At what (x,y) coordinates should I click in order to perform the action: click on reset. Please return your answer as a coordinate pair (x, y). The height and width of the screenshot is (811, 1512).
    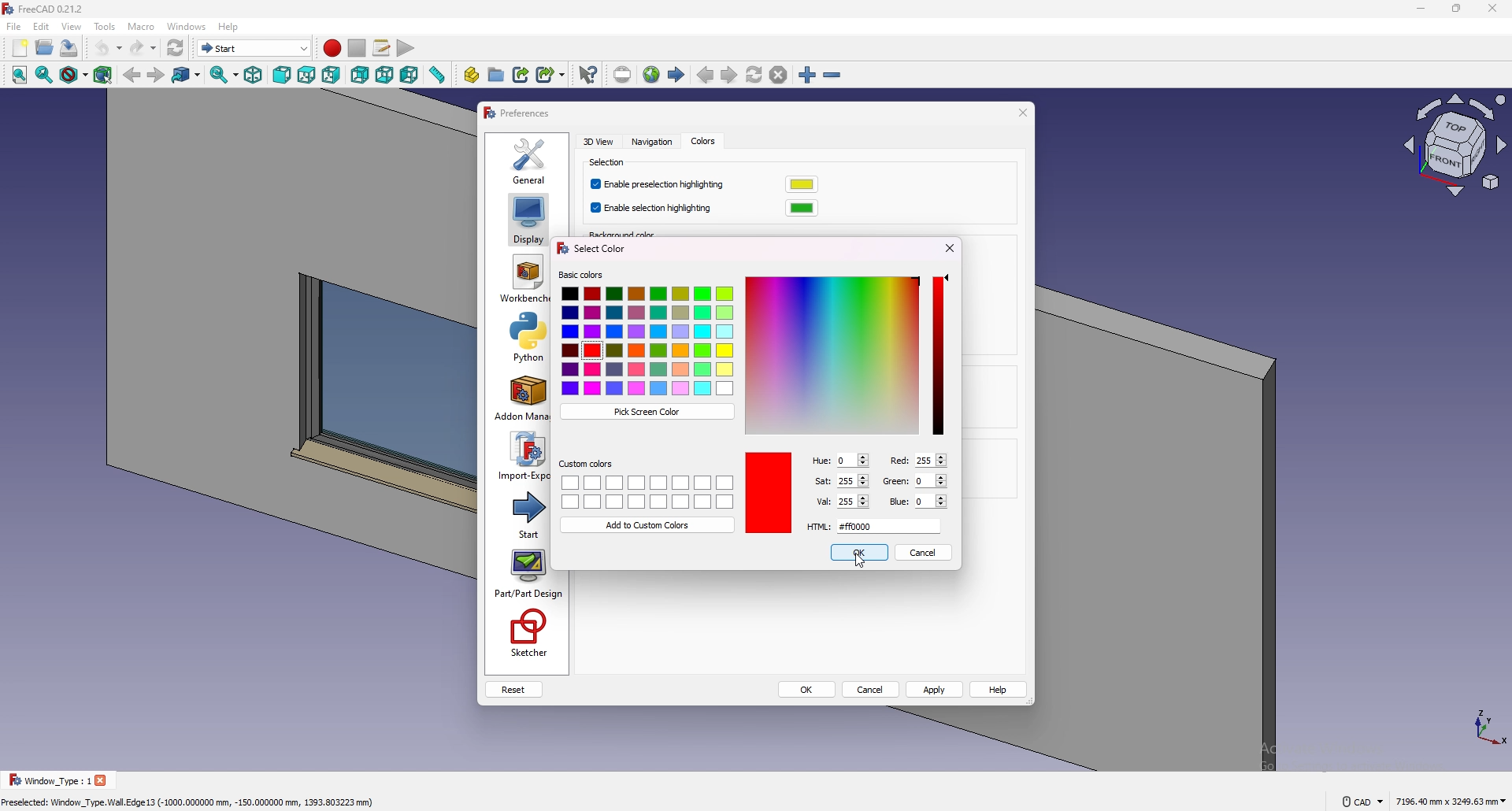
    Looking at the image, I should click on (513, 690).